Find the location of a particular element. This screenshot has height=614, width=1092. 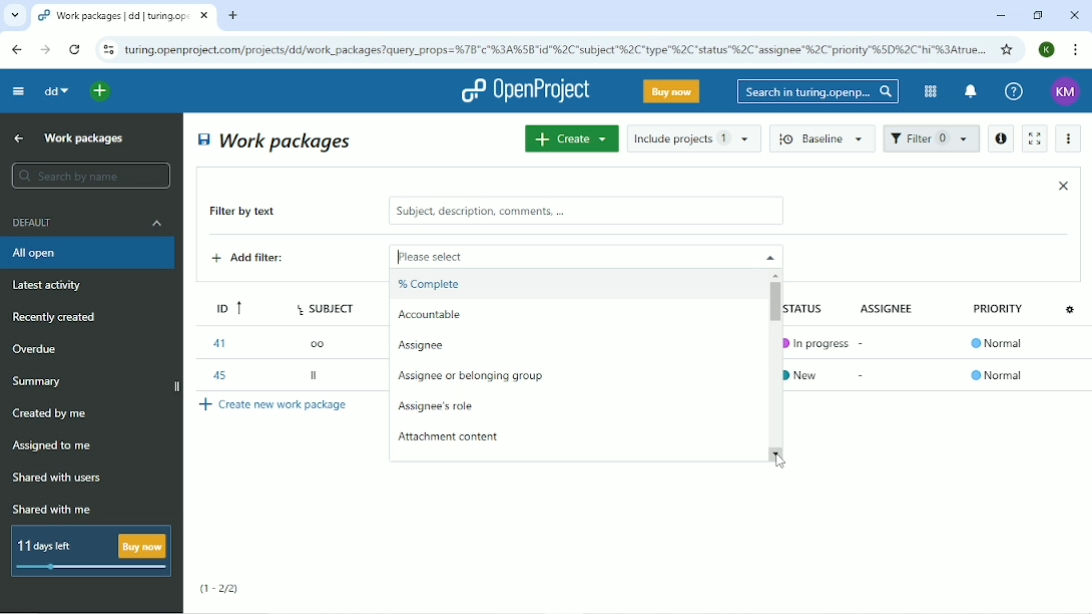

Account is located at coordinates (1066, 92).